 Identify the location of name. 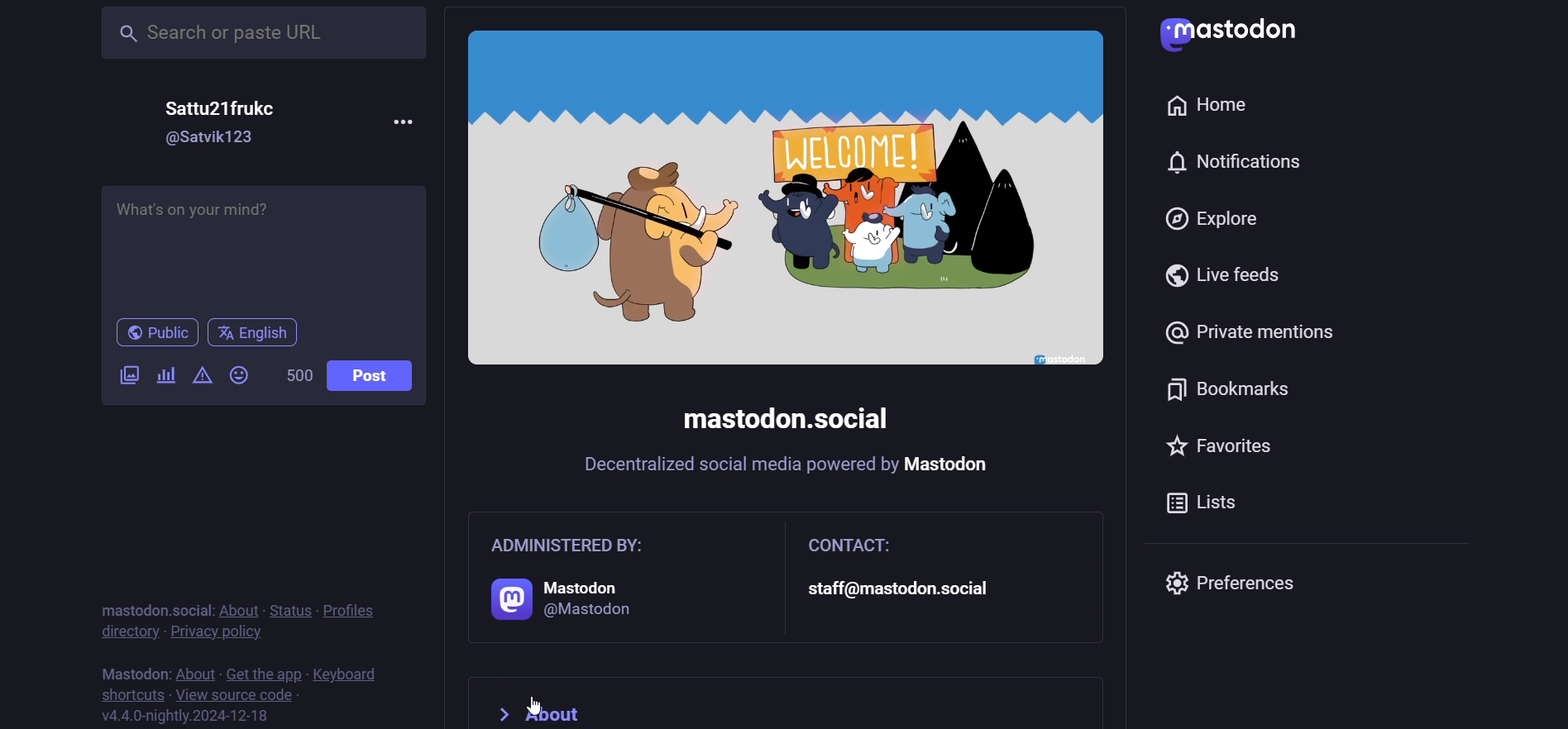
(230, 107).